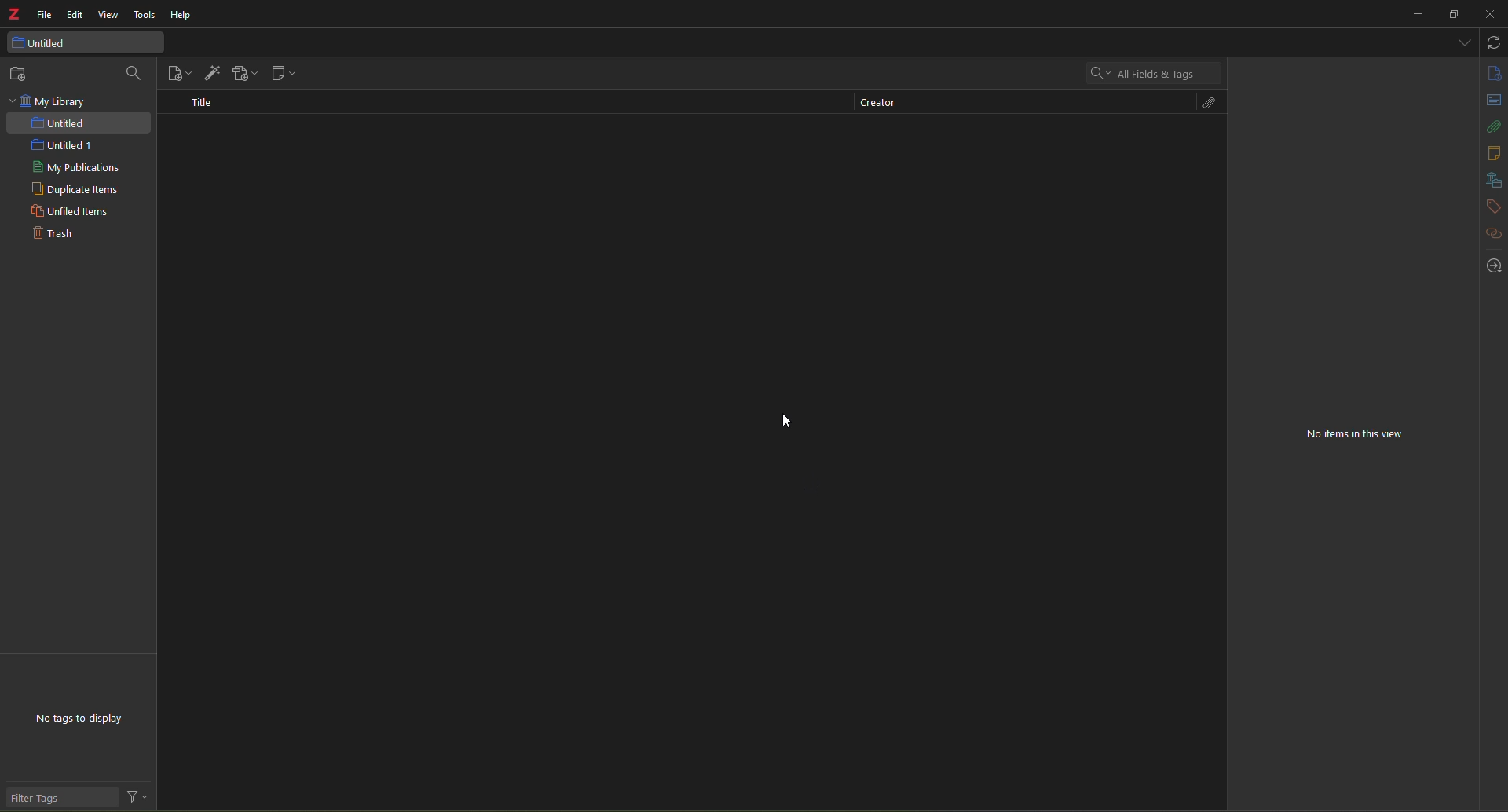  What do you see at coordinates (1284, 261) in the screenshot?
I see `my library` at bounding box center [1284, 261].